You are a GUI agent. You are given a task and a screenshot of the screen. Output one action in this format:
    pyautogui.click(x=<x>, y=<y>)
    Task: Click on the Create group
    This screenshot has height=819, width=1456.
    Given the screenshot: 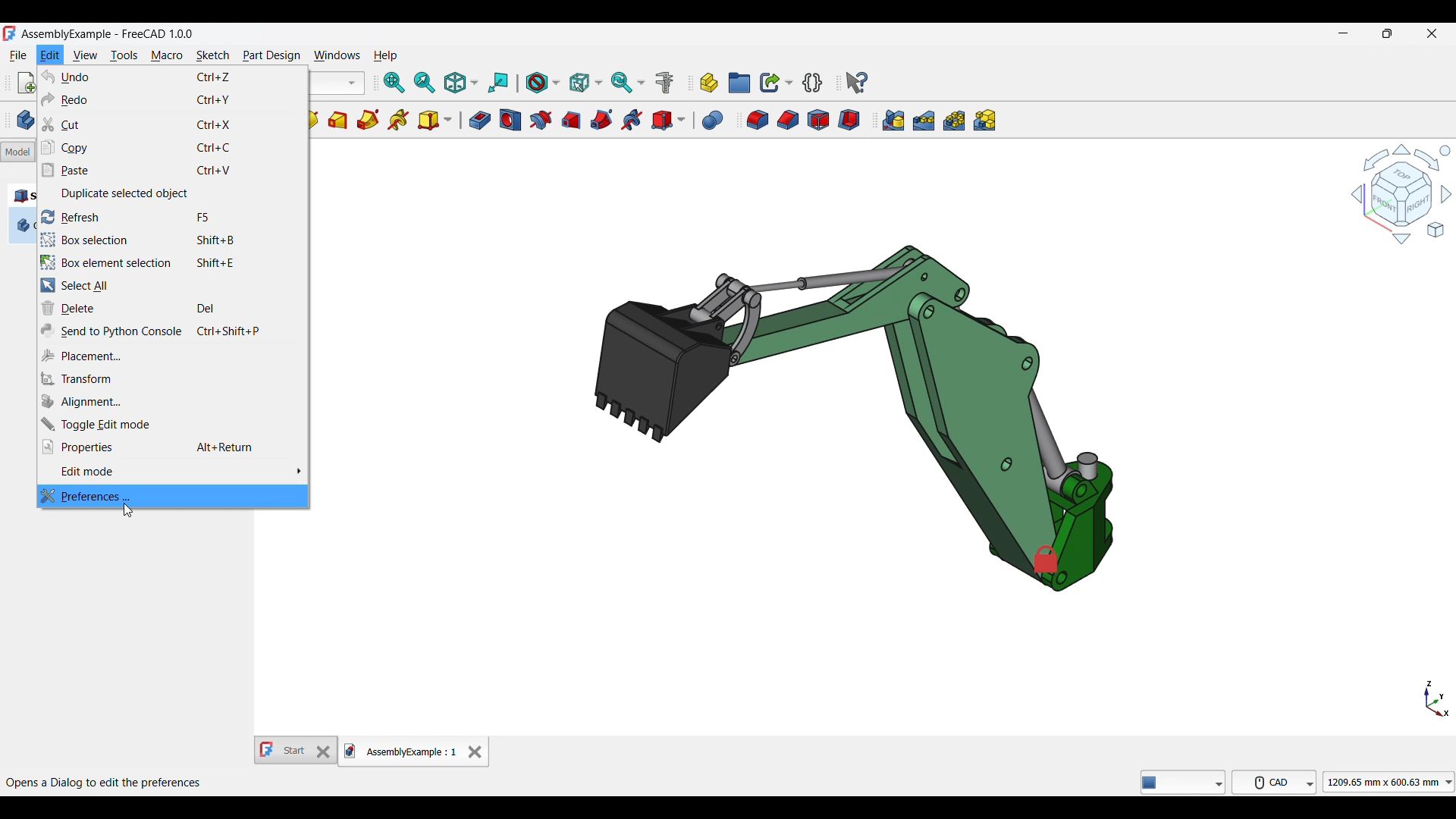 What is the action you would take?
    pyautogui.click(x=739, y=83)
    